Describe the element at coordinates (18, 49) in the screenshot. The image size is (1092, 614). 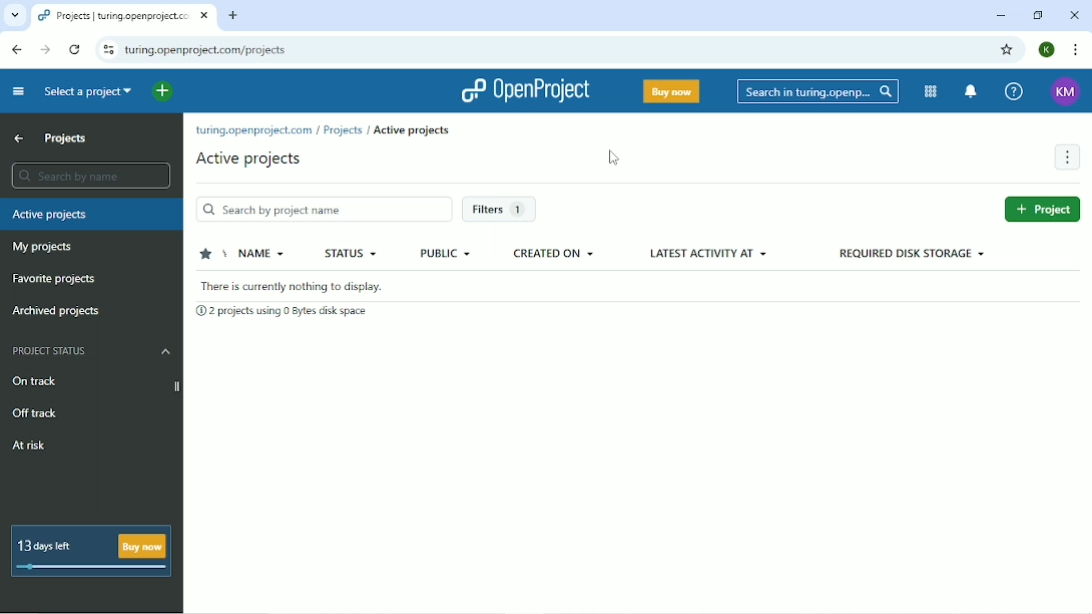
I see `Back` at that location.